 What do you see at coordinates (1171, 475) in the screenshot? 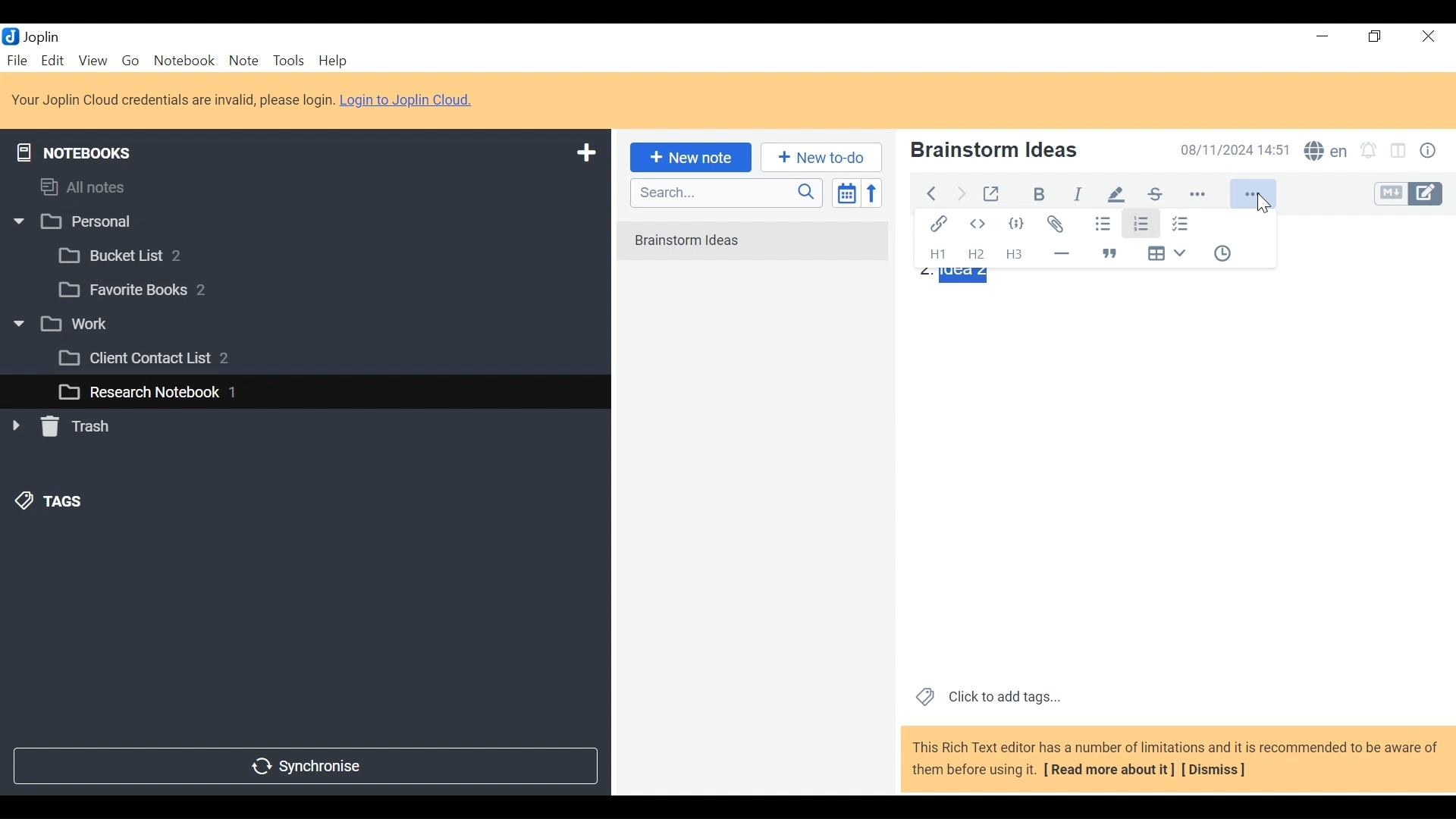
I see `Note View` at bounding box center [1171, 475].